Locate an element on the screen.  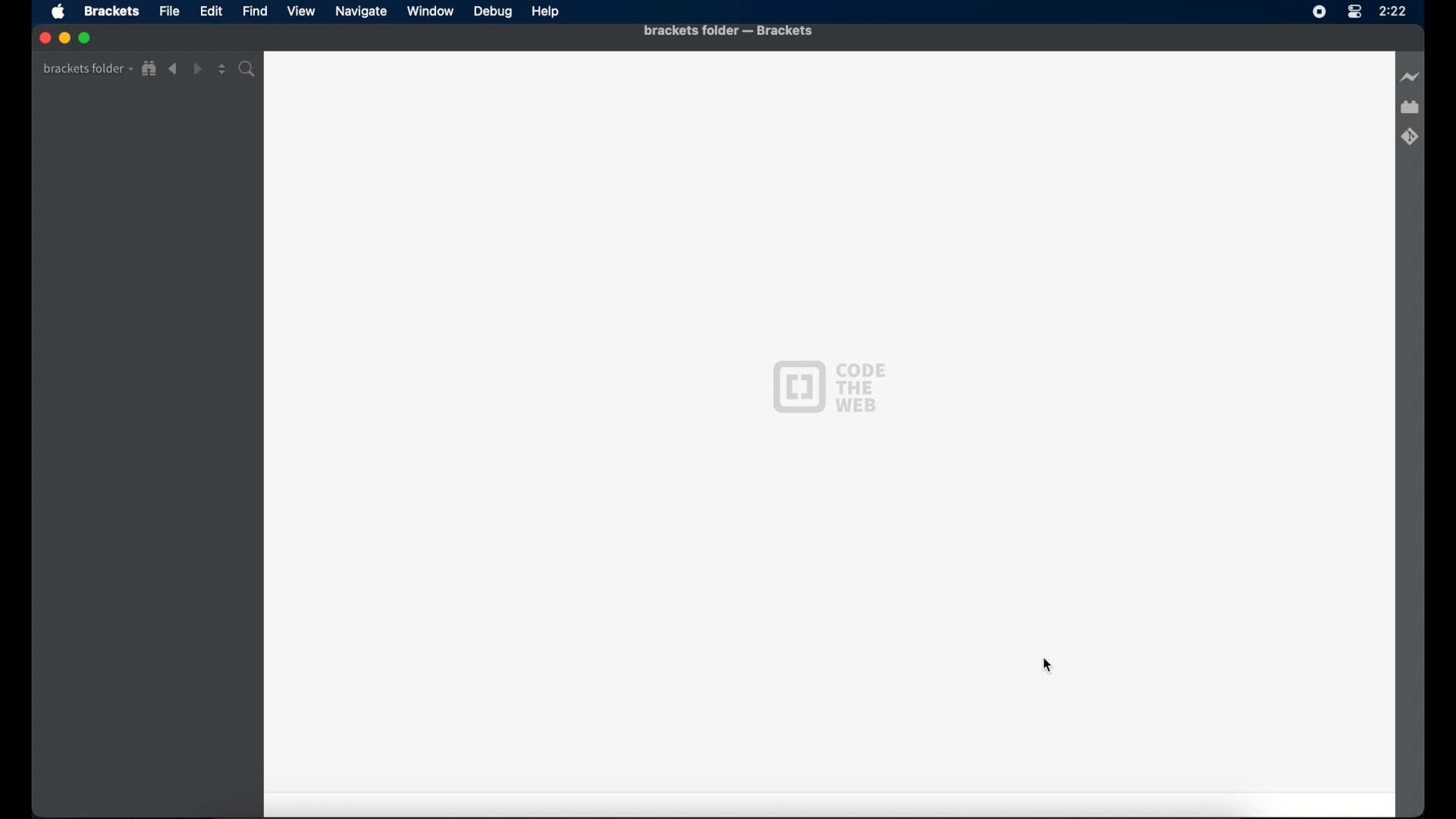
screen recorder  icon is located at coordinates (1319, 12).